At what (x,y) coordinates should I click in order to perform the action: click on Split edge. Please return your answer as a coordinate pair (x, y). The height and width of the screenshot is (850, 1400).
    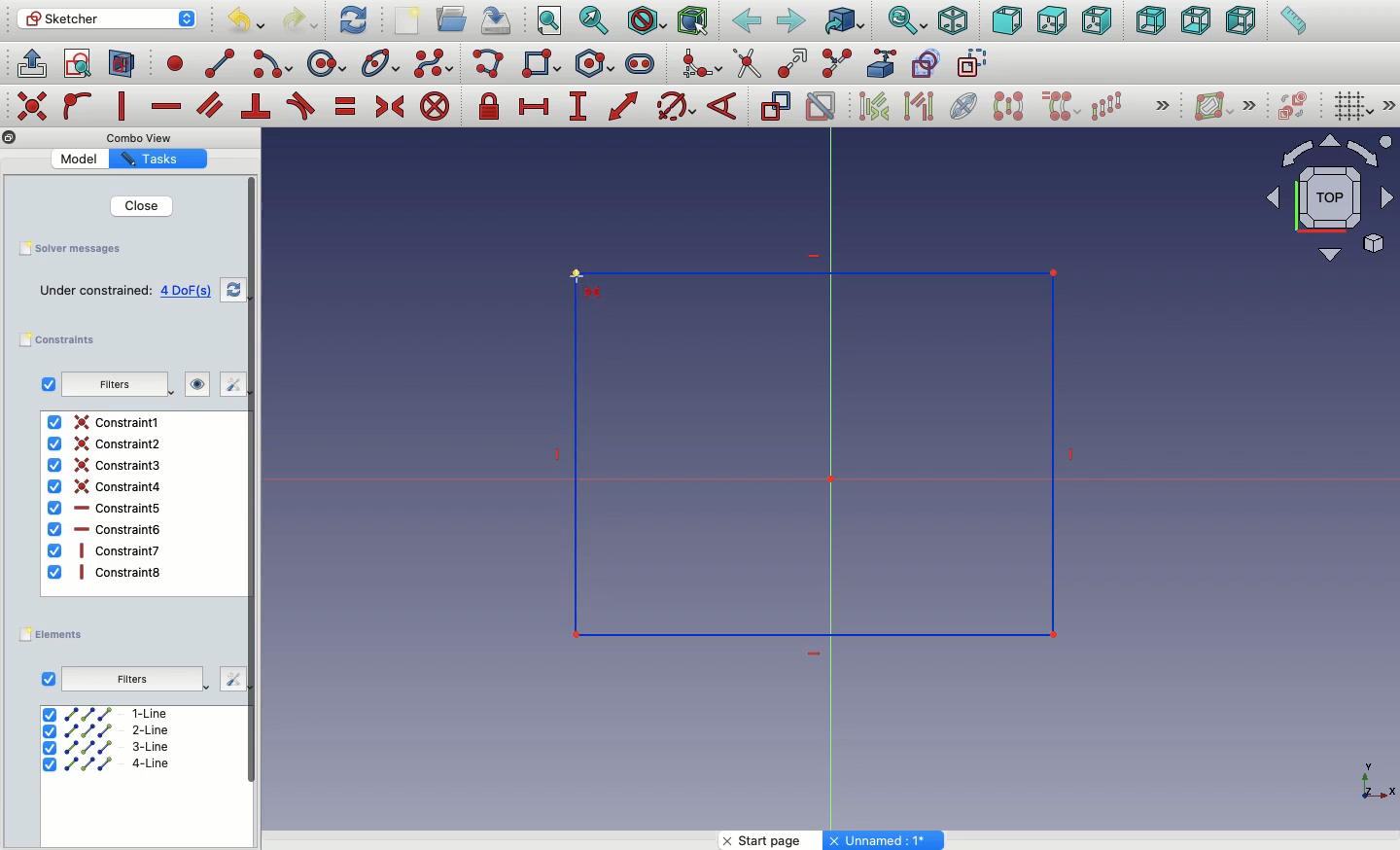
    Looking at the image, I should click on (836, 64).